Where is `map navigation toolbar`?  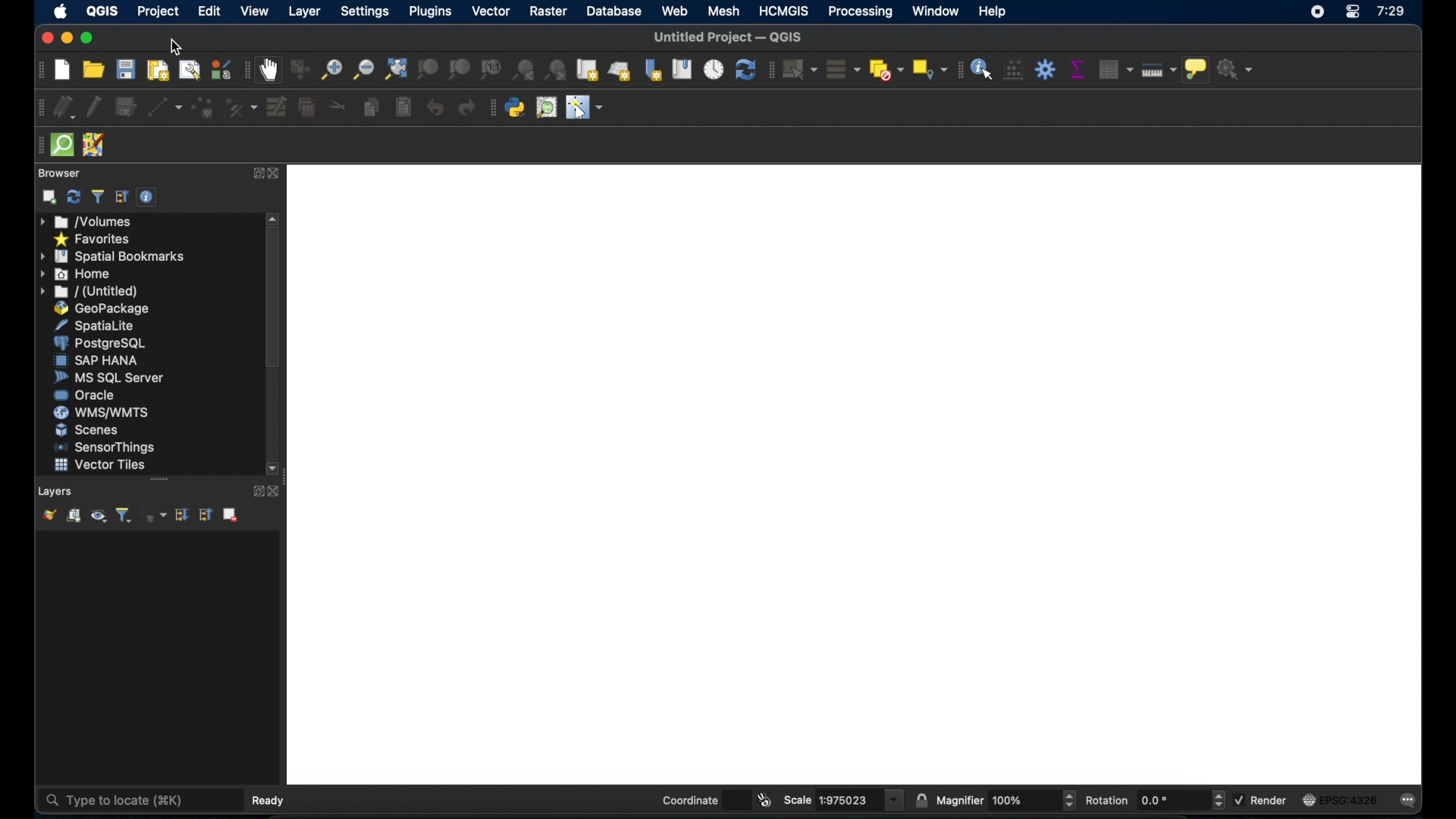 map navigation toolbar is located at coordinates (245, 71).